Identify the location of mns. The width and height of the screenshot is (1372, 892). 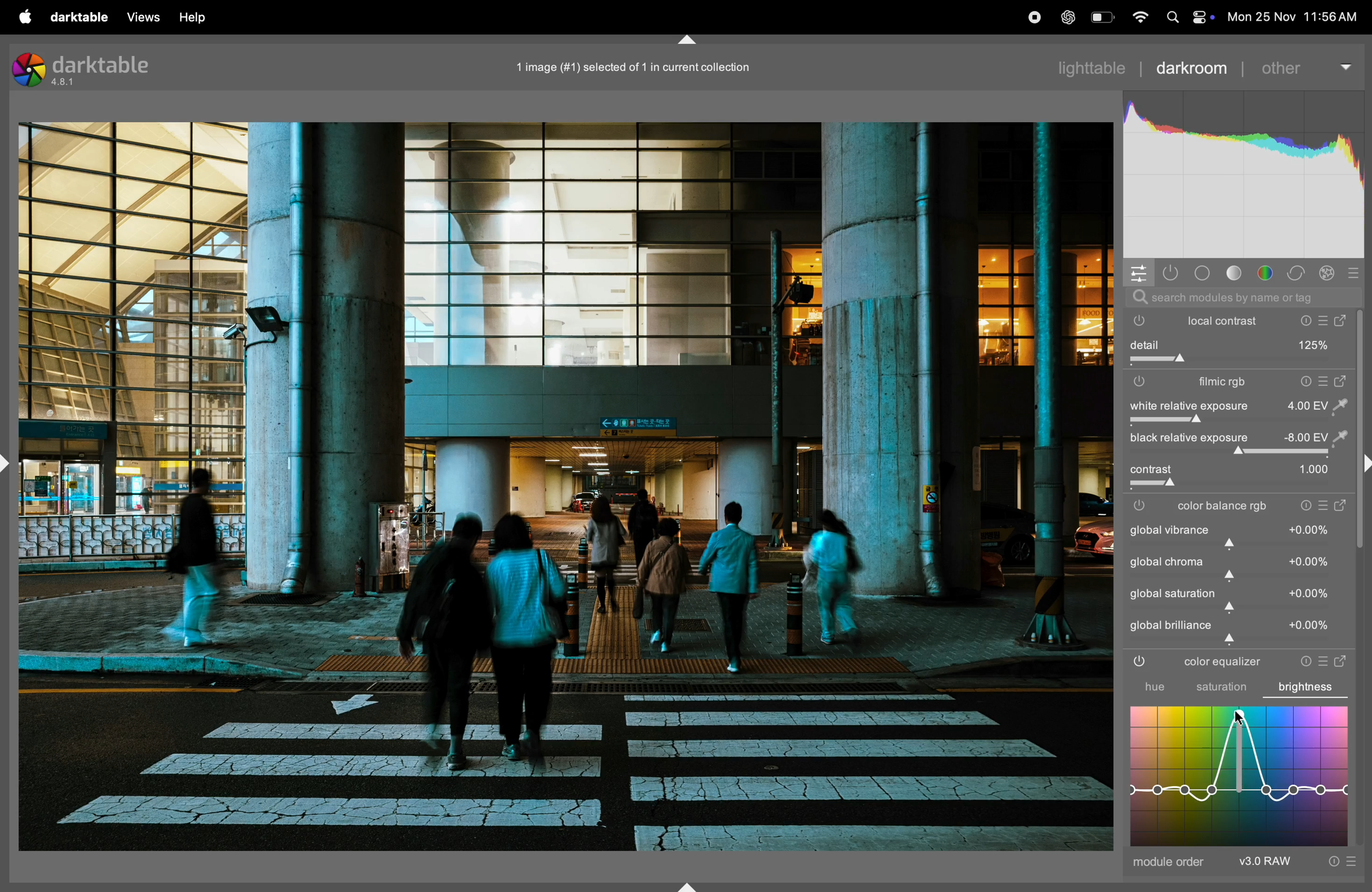
(1243, 175).